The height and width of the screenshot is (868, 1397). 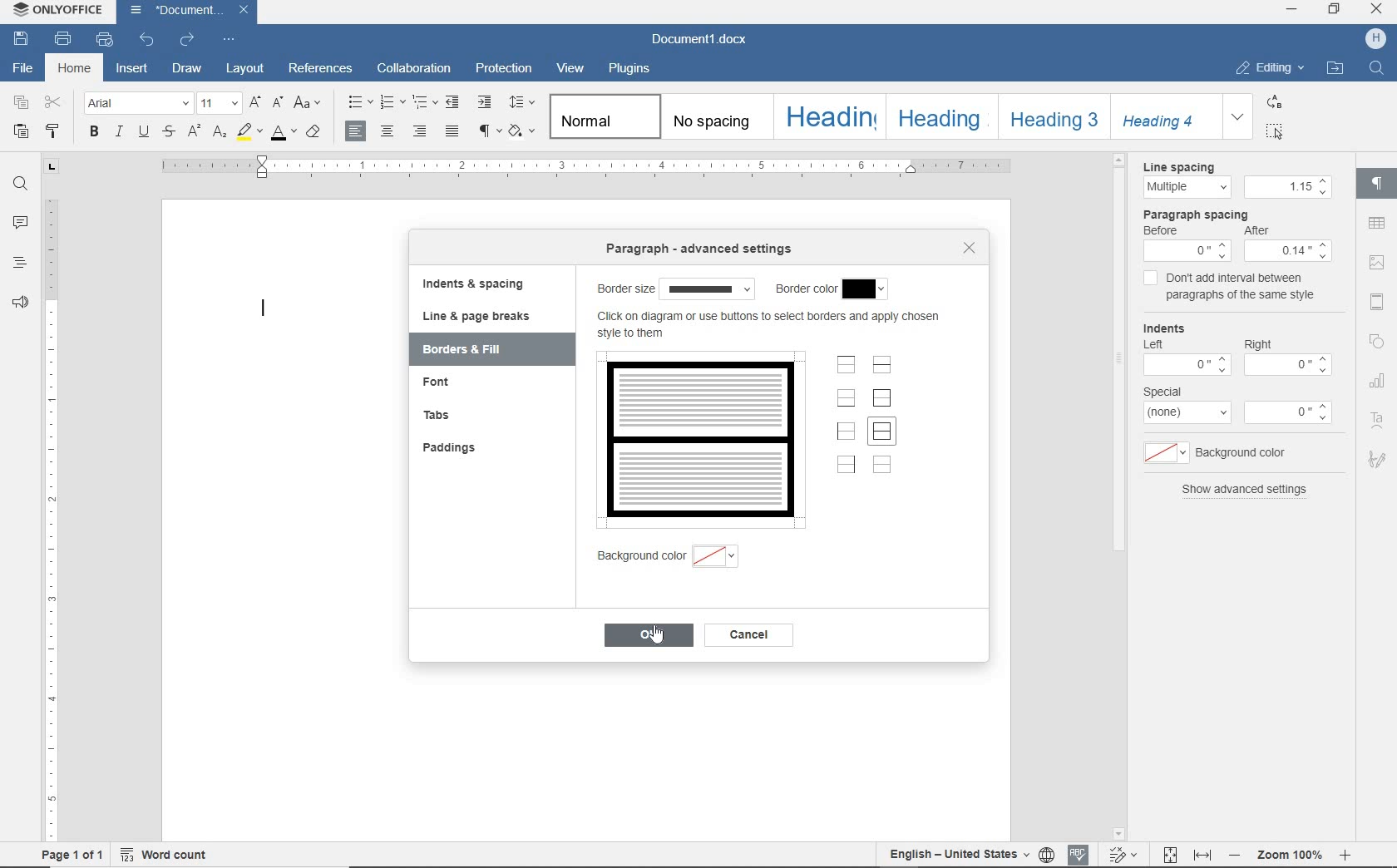 I want to click on Outer border and all inner line document preview, so click(x=698, y=435).